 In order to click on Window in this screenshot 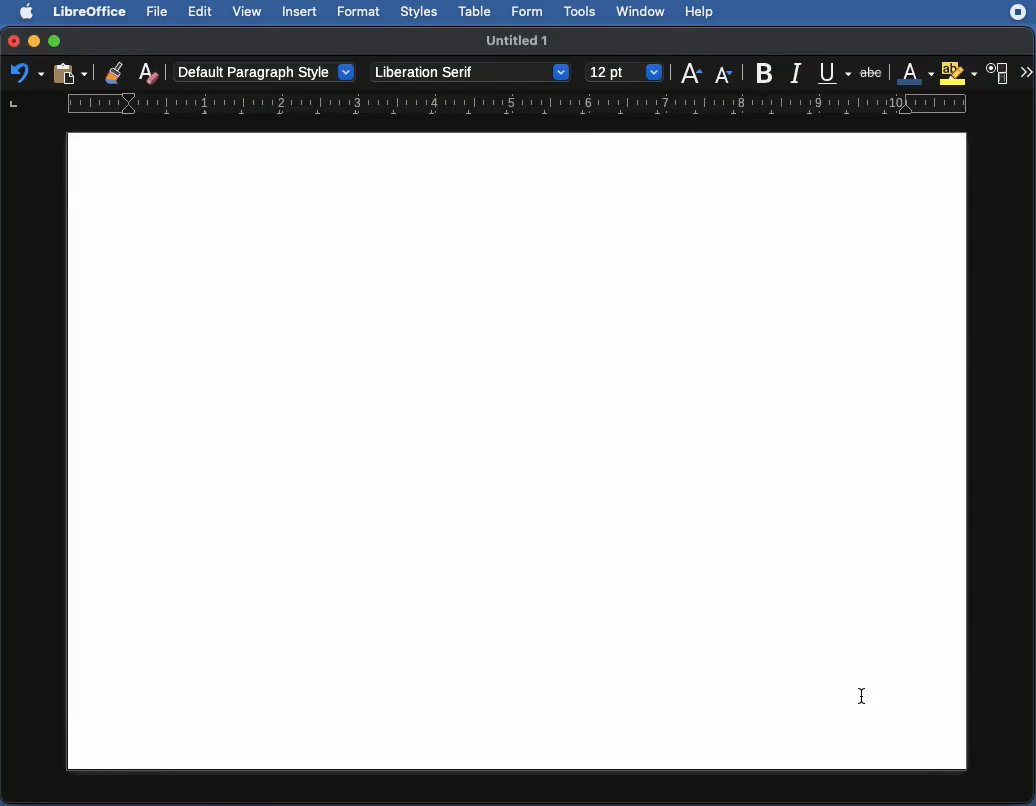, I will do `click(644, 12)`.